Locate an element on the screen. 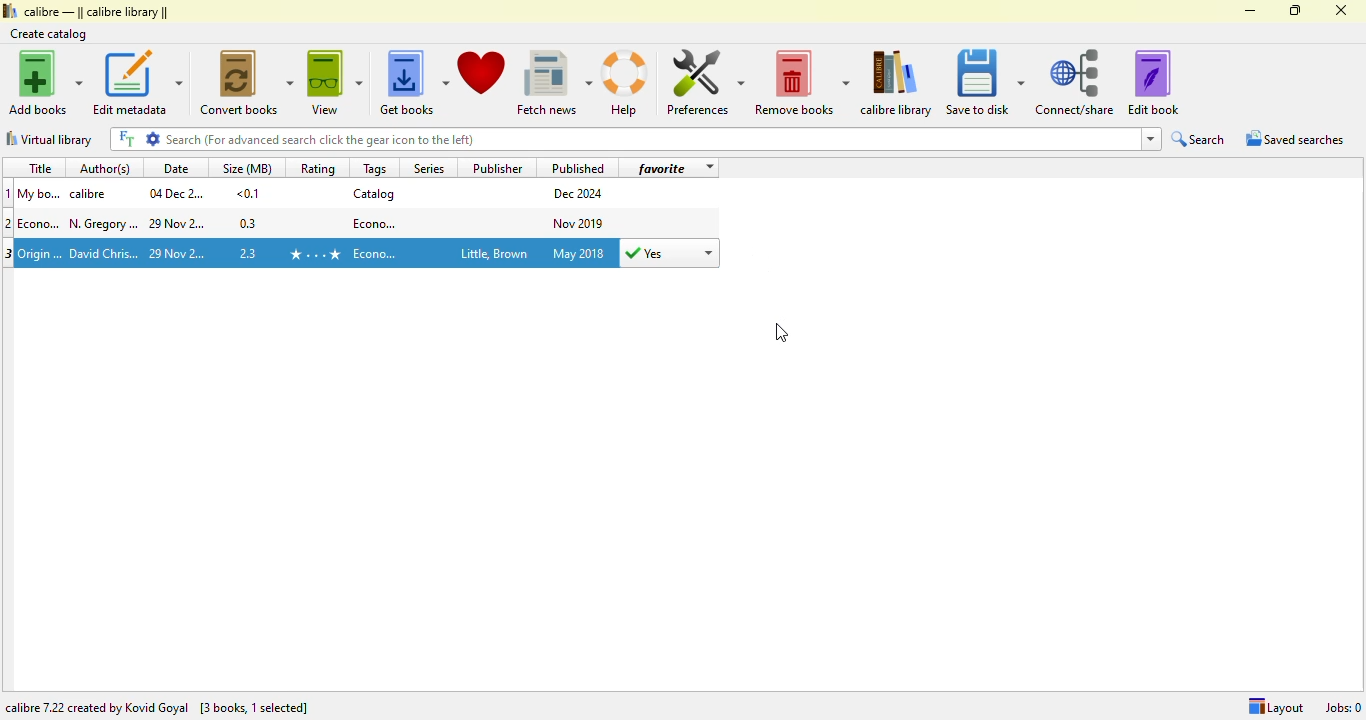 This screenshot has width=1366, height=720. title is located at coordinates (41, 223).